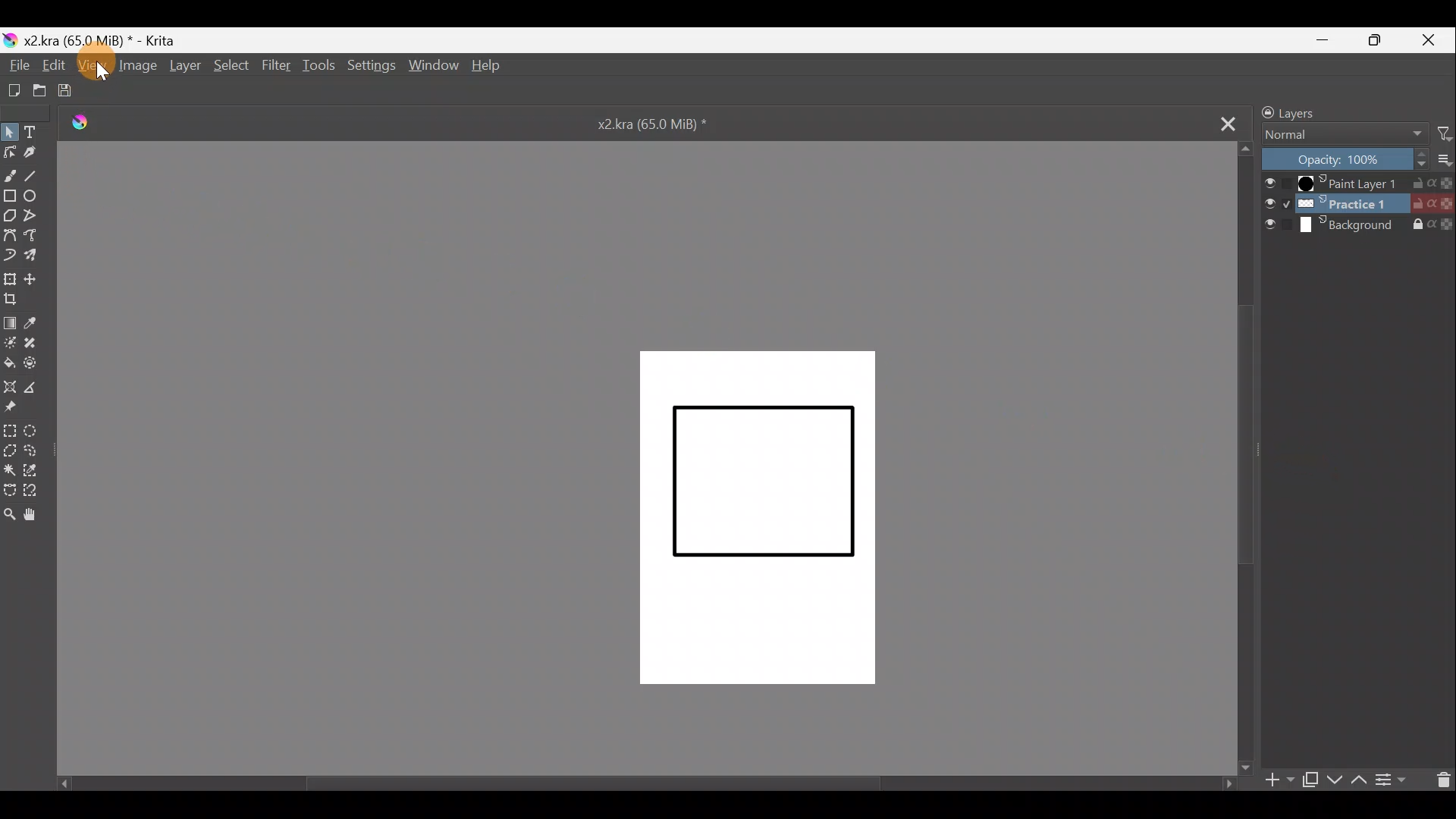 The width and height of the screenshot is (1456, 819). What do you see at coordinates (38, 174) in the screenshot?
I see `Line tool` at bounding box center [38, 174].